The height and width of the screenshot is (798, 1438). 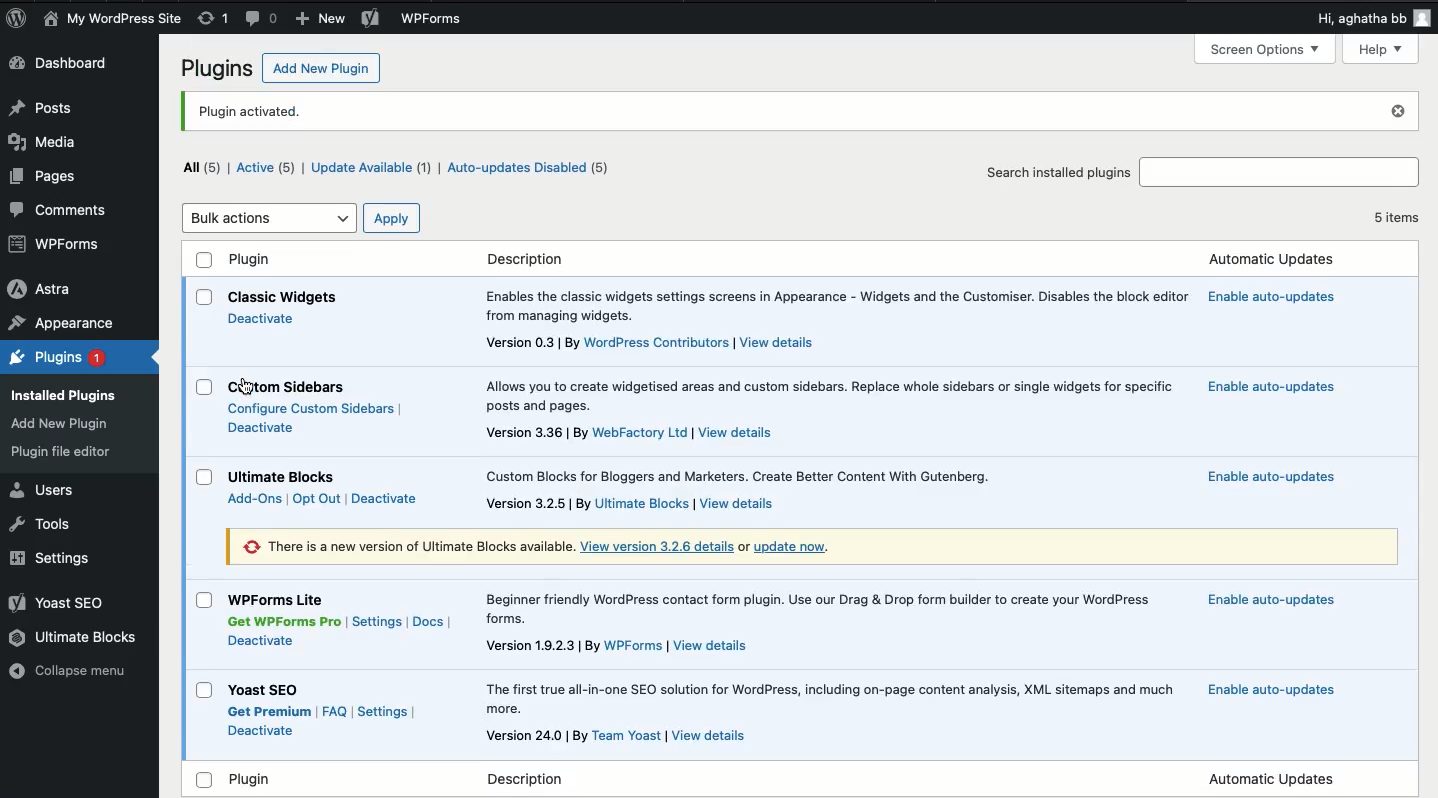 I want to click on Media, so click(x=44, y=144).